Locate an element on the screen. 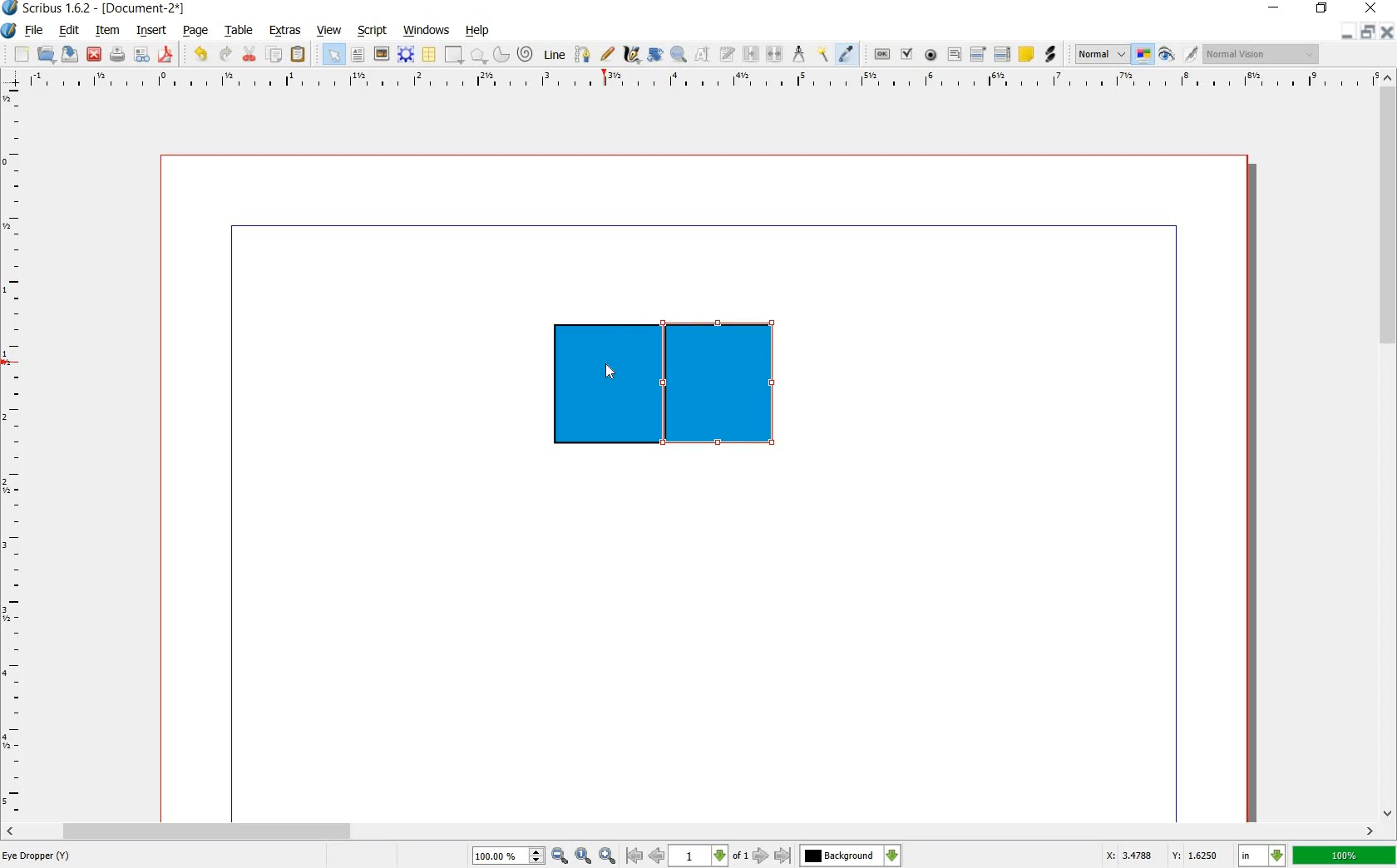  insert is located at coordinates (152, 31).